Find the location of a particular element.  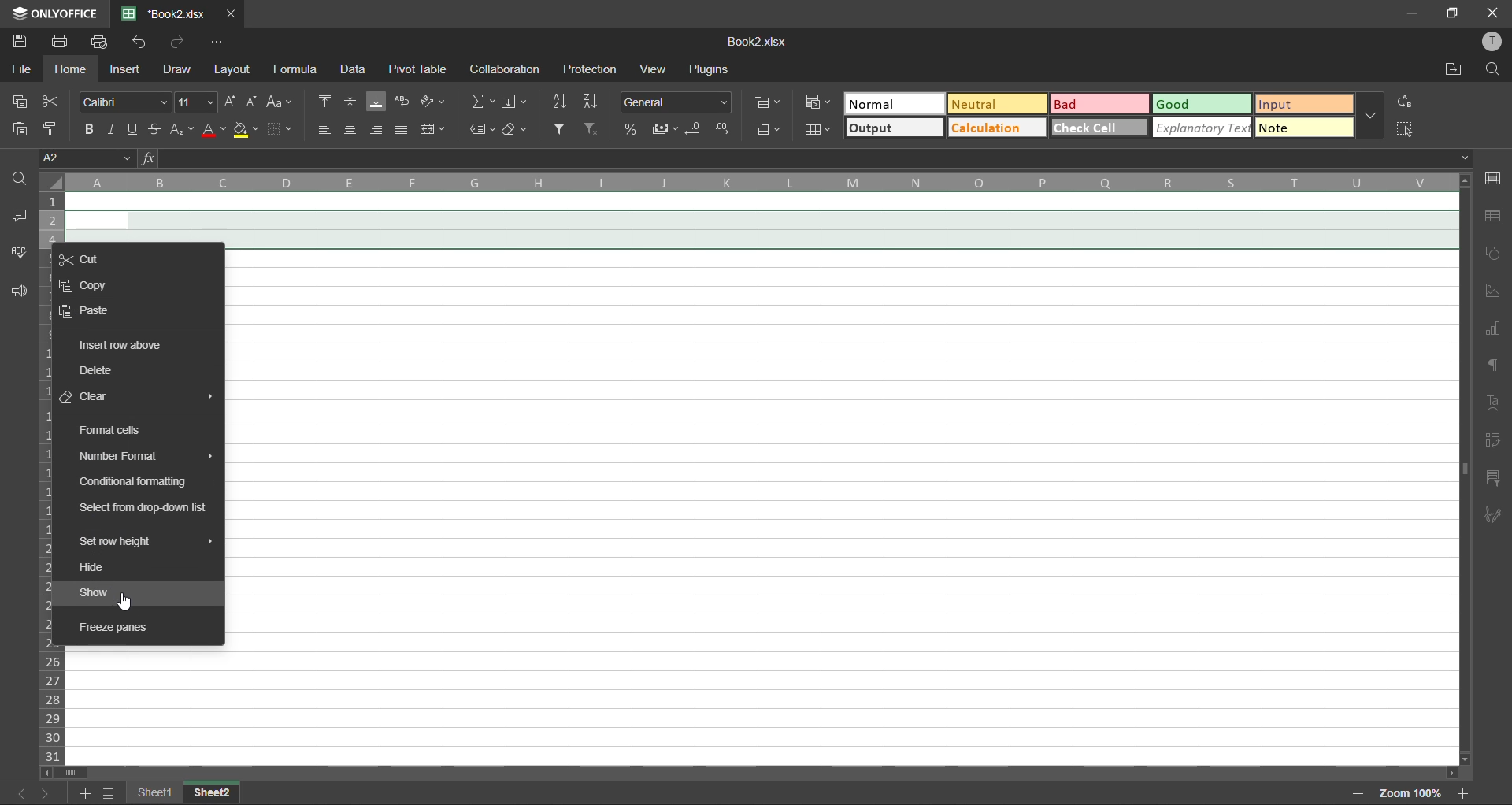

insert row above is located at coordinates (120, 344).